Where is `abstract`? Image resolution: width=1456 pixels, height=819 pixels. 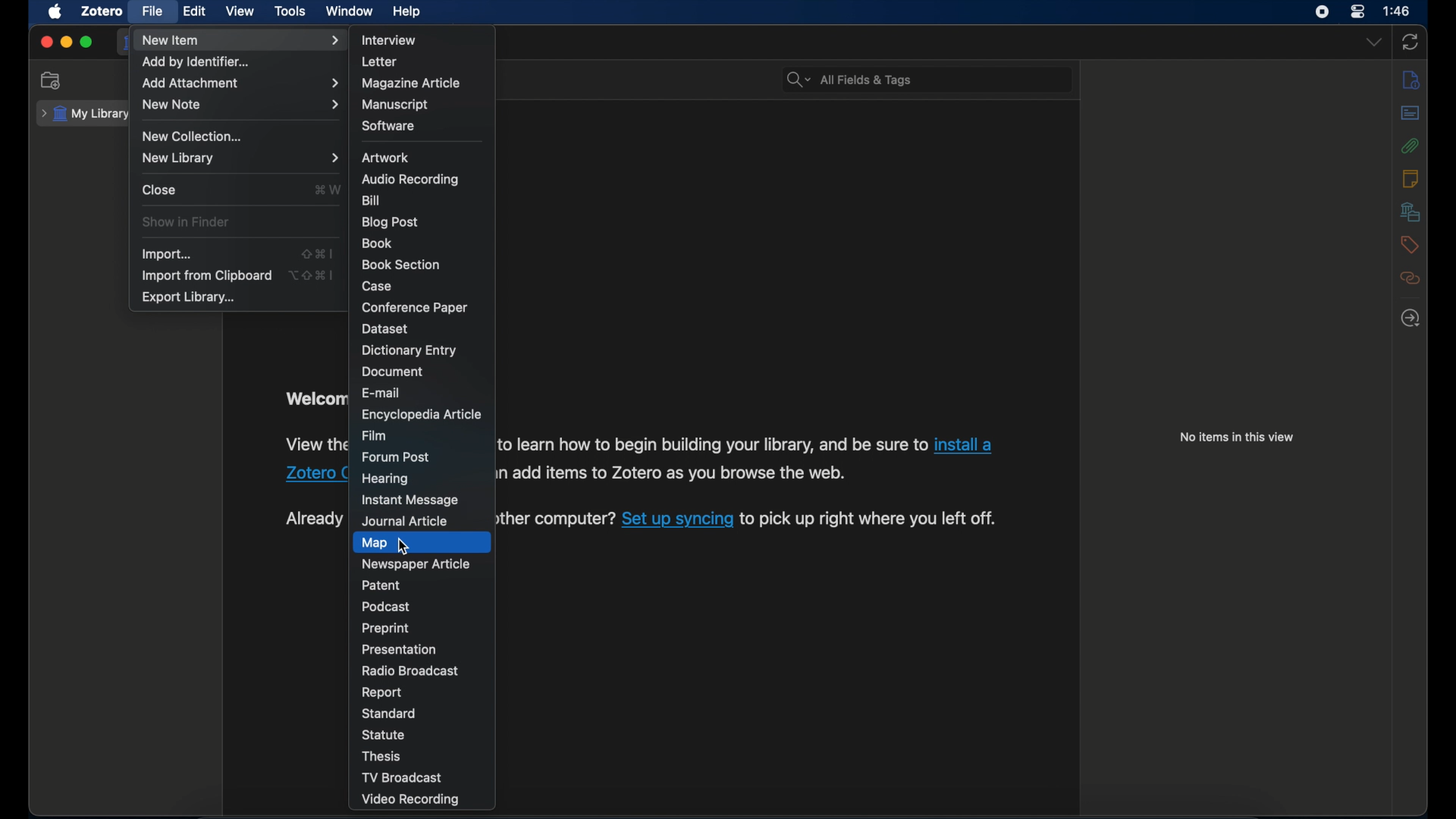 abstract is located at coordinates (1410, 112).